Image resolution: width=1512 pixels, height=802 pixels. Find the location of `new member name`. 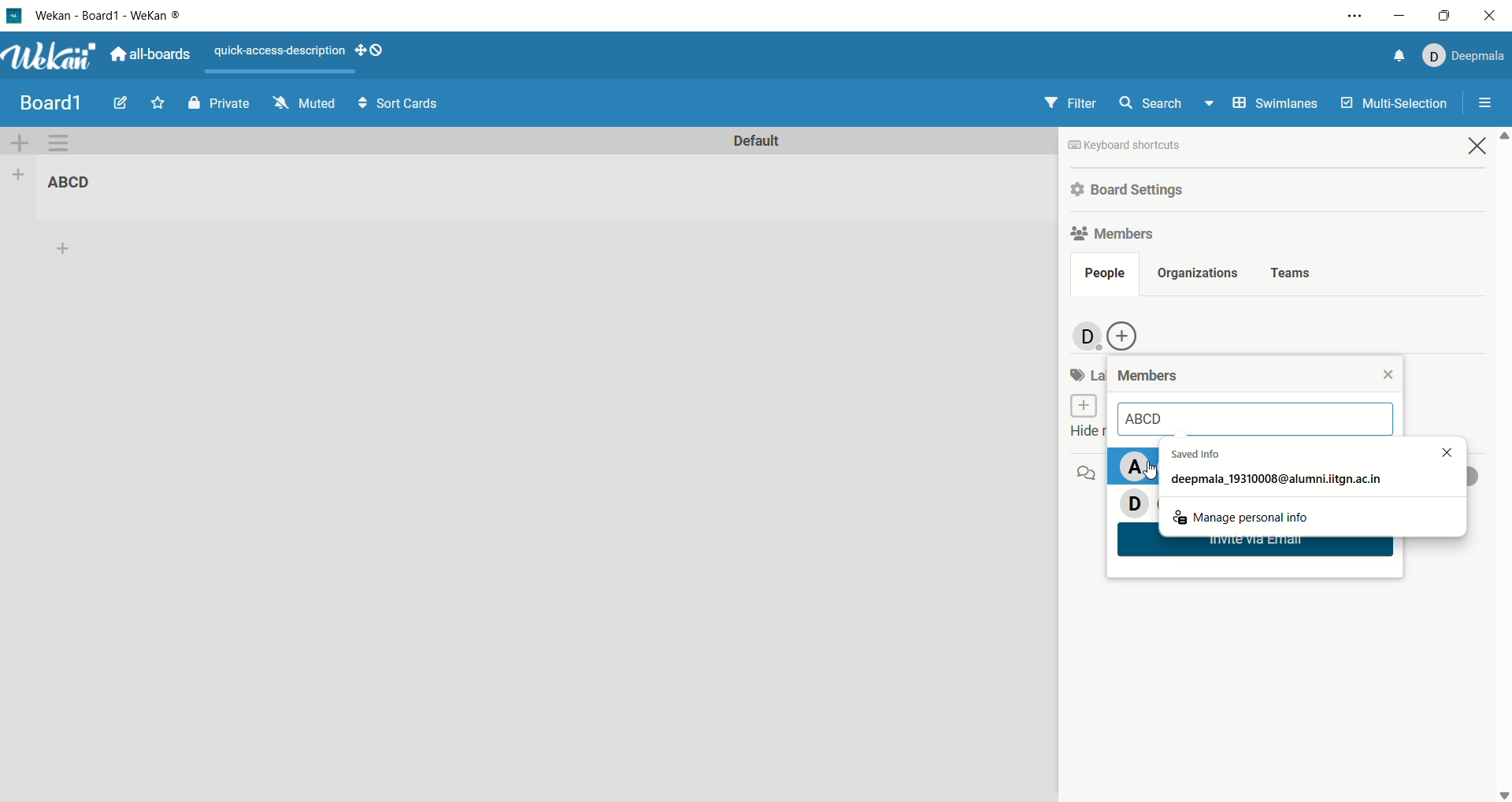

new member name is located at coordinates (1260, 420).